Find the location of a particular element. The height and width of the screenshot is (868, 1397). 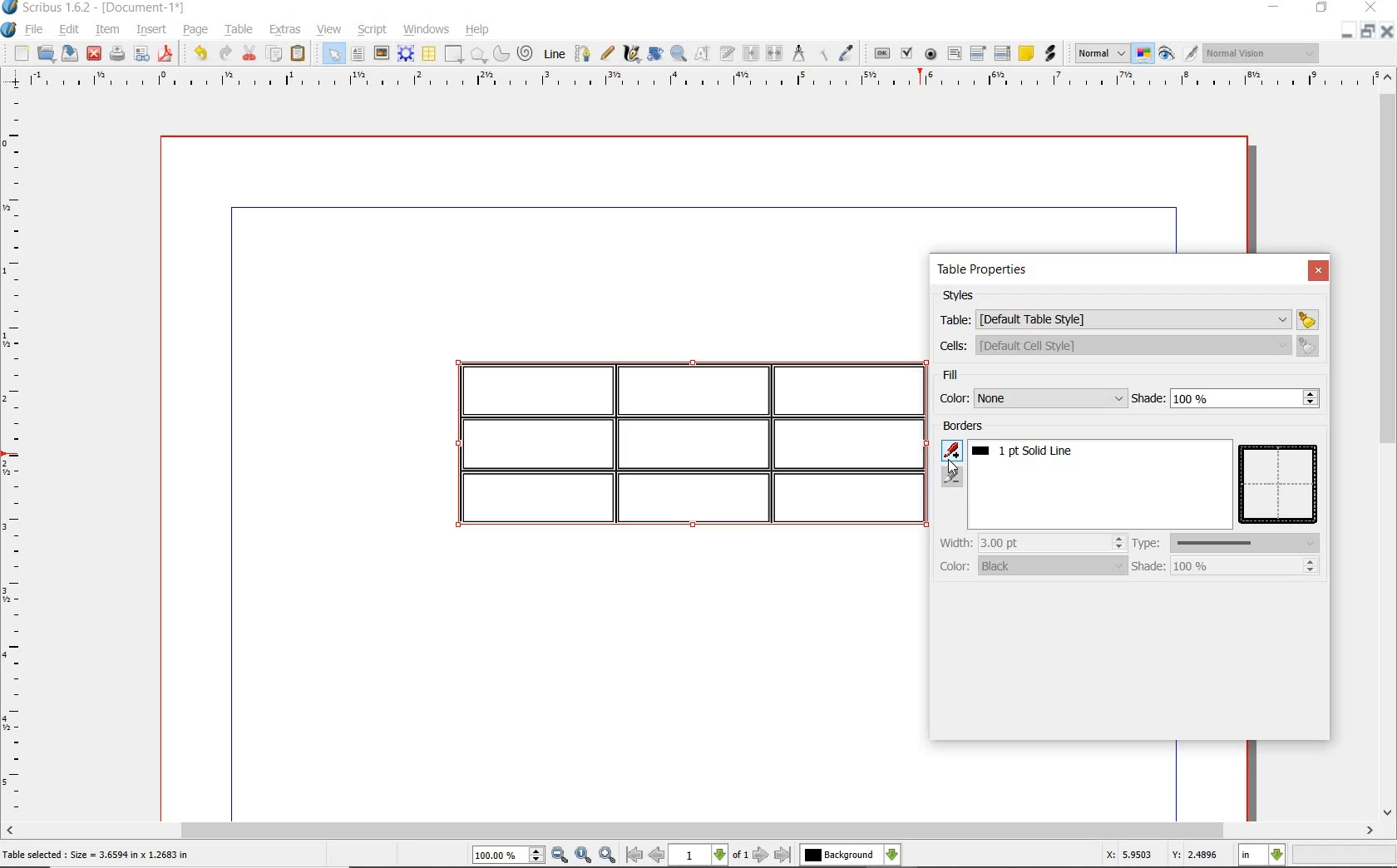

scrollbar is located at coordinates (1389, 442).